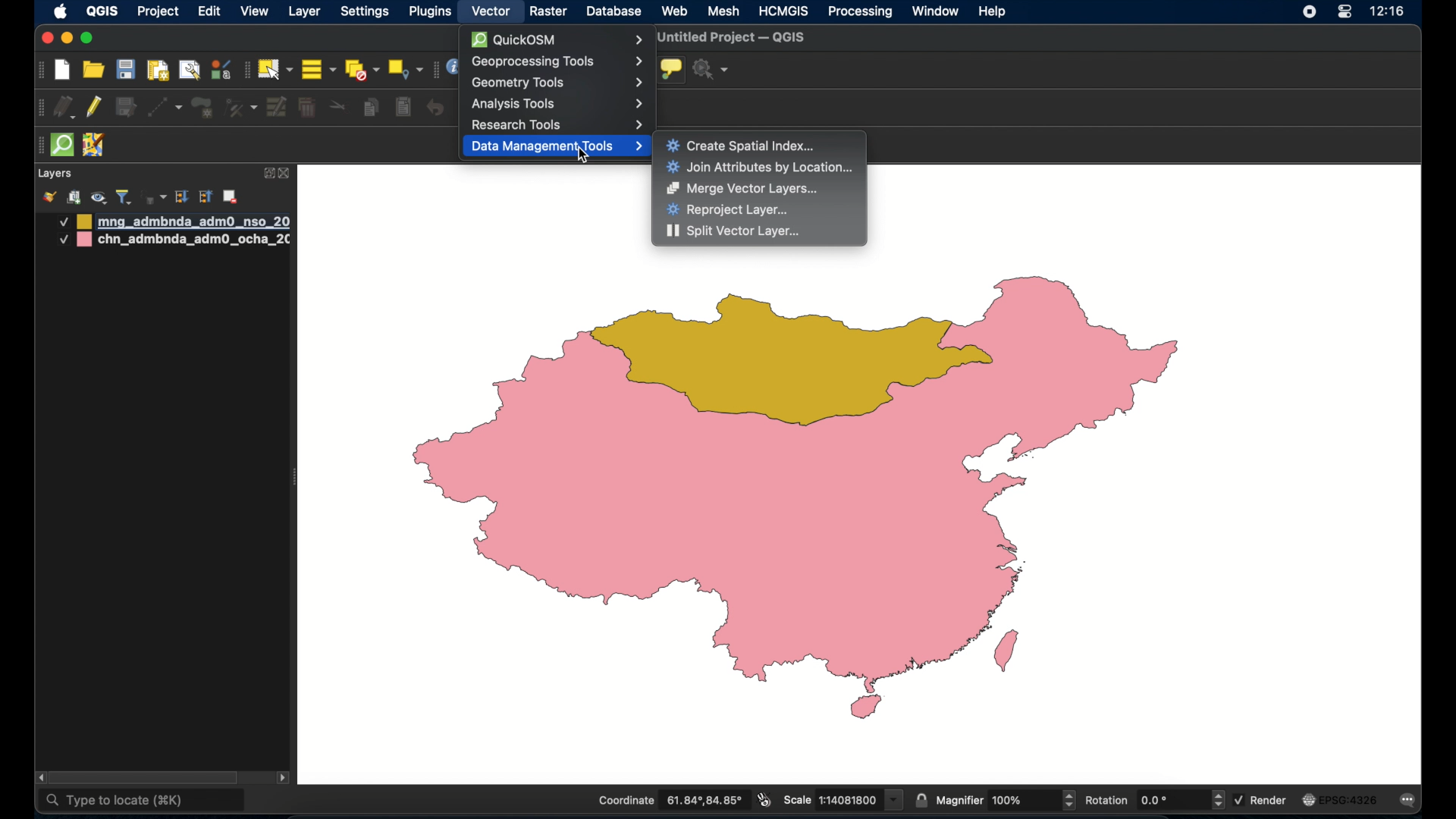 Image resolution: width=1456 pixels, height=819 pixels. I want to click on toggle extents and mouse position display, so click(762, 799).